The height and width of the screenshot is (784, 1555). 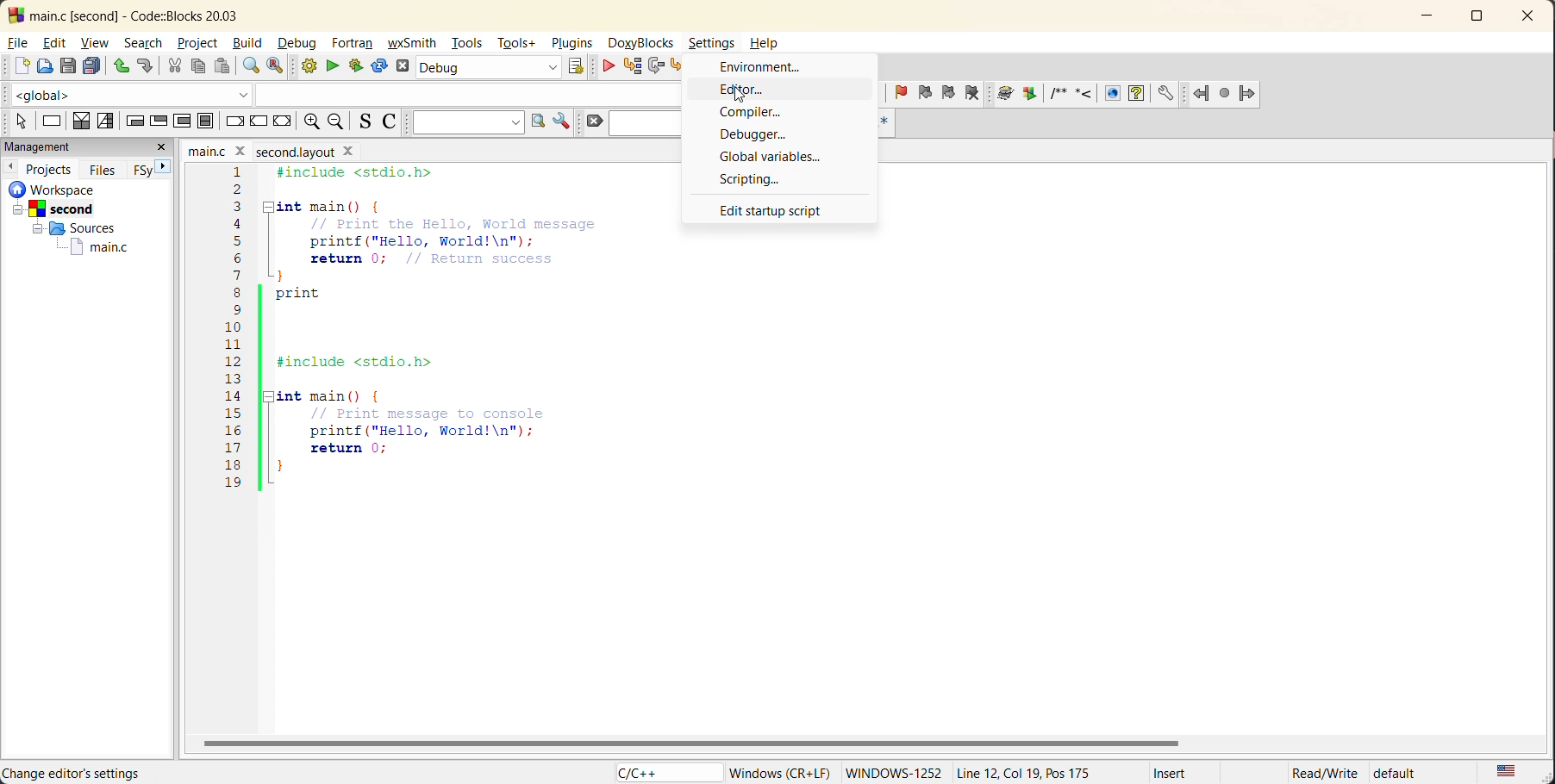 What do you see at coordinates (76, 208) in the screenshot?
I see `Second` at bounding box center [76, 208].